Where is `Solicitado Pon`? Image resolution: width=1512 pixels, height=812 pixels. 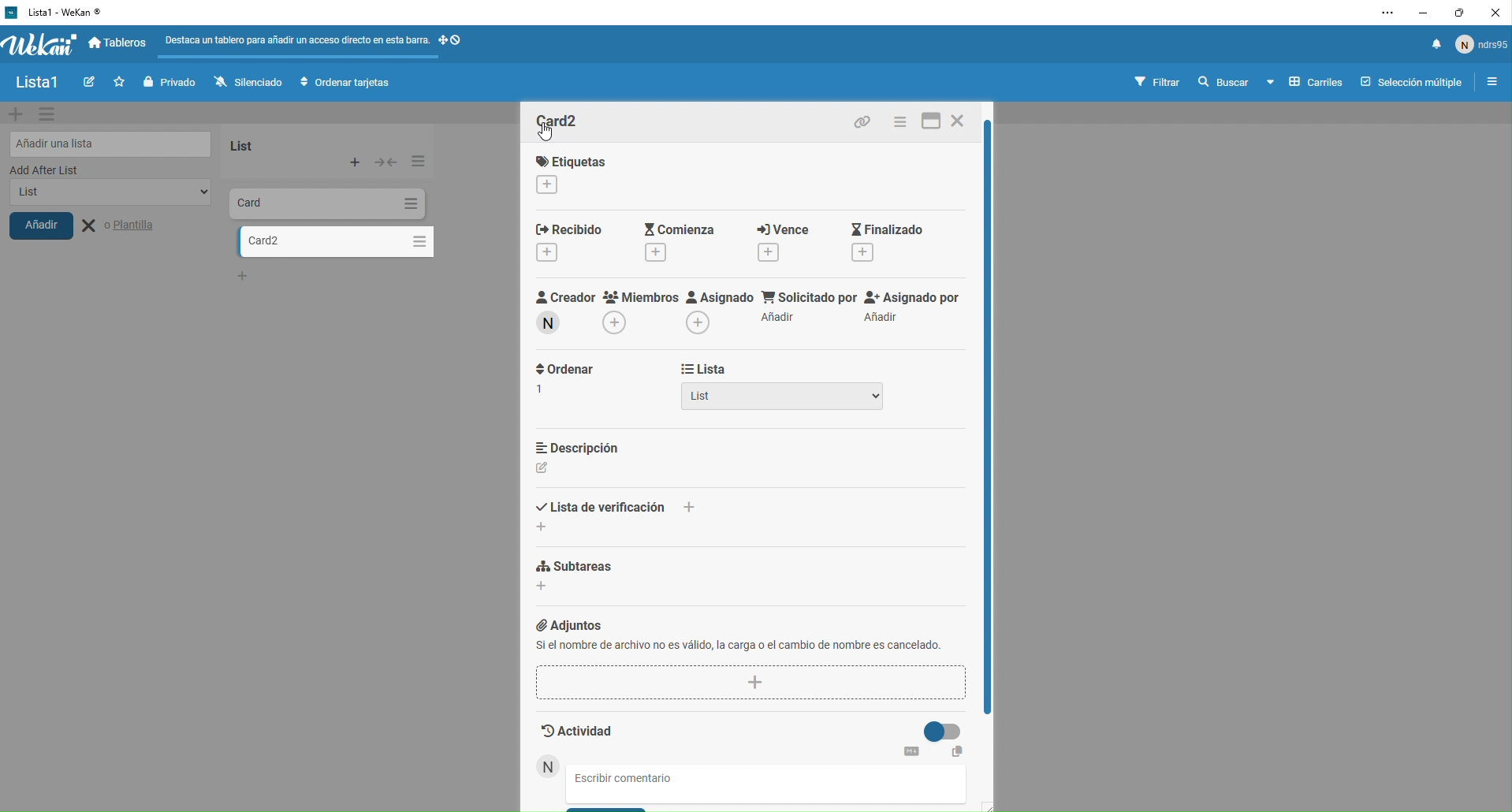
Solicitado Pon is located at coordinates (808, 309).